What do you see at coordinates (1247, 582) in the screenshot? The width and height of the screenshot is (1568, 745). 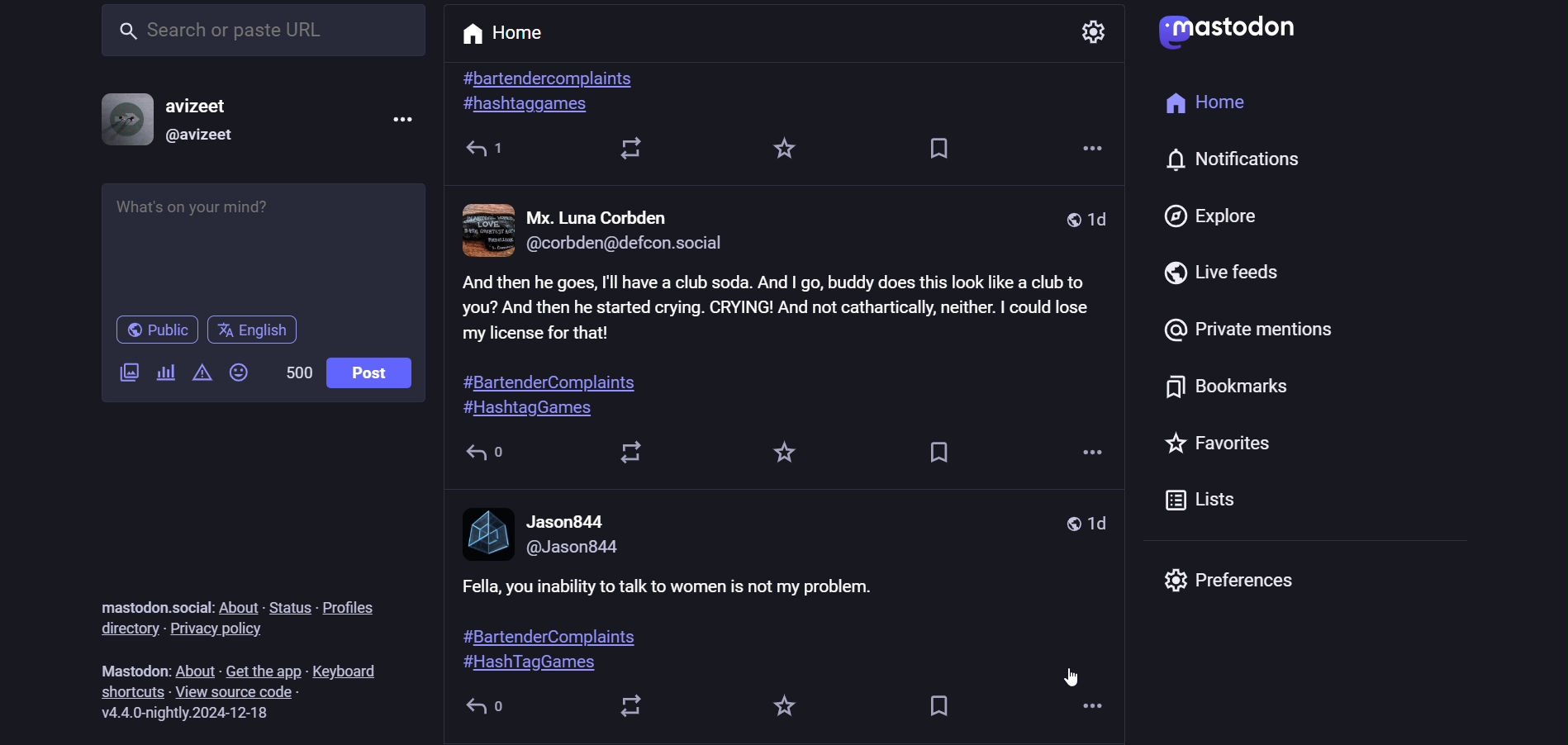 I see `preferences` at bounding box center [1247, 582].